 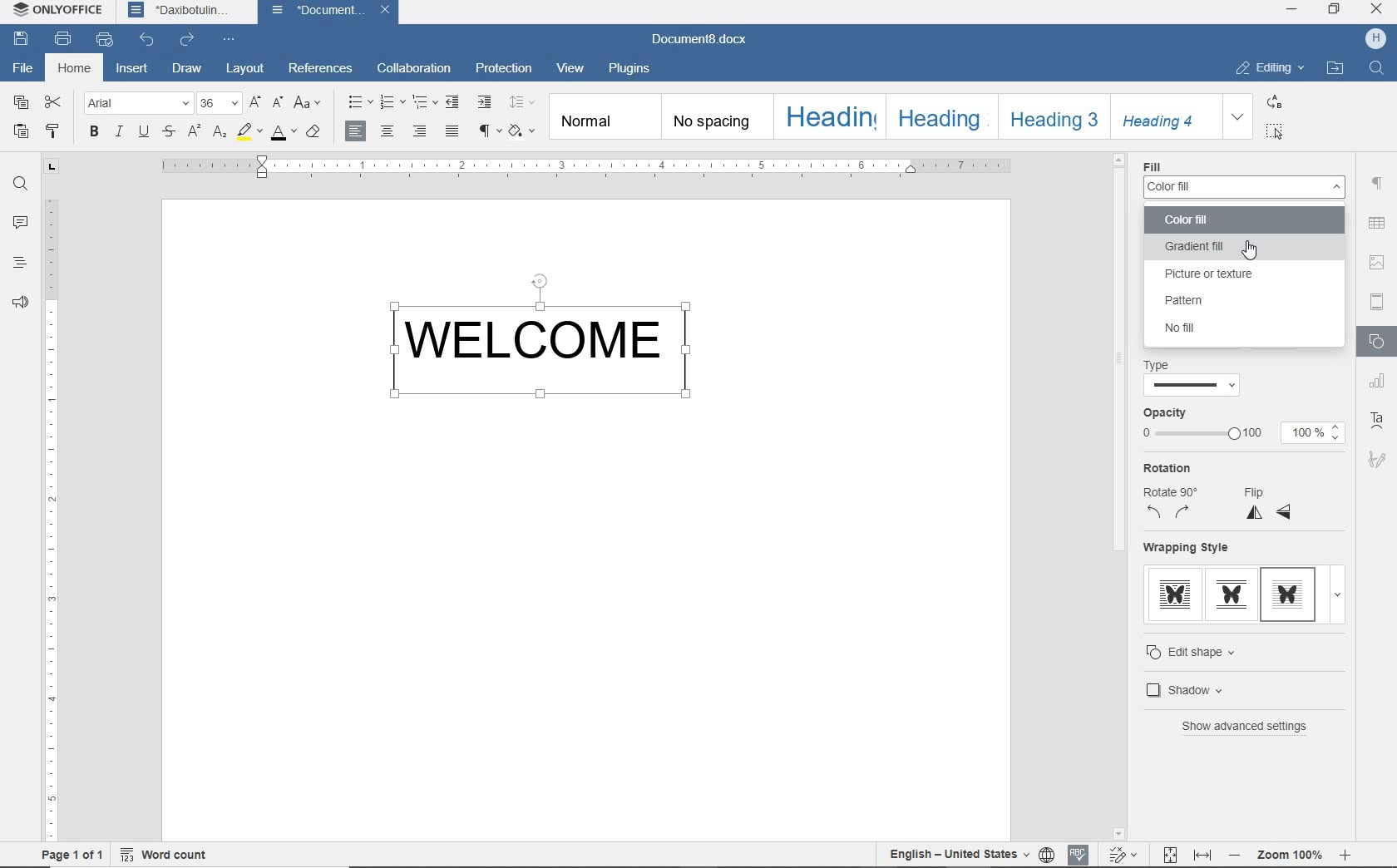 I want to click on NO SPACING, so click(x=720, y=116).